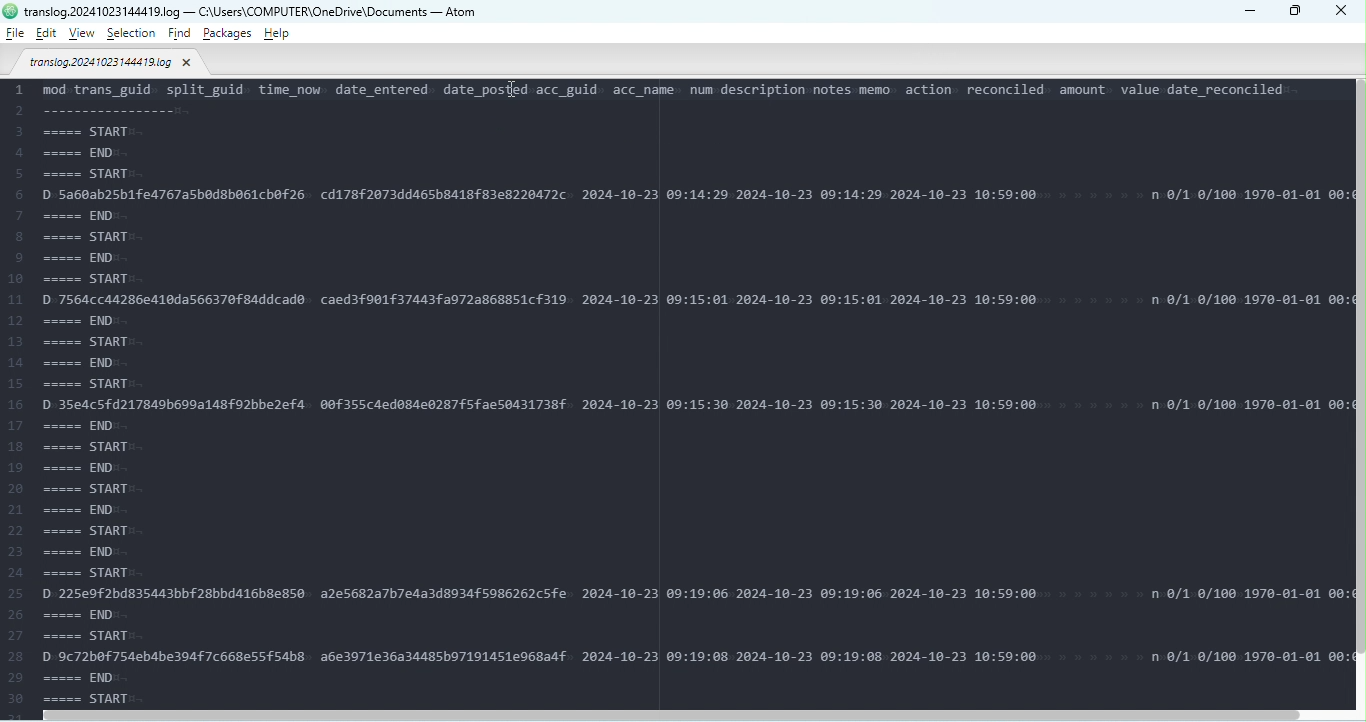 This screenshot has height=722, width=1366. What do you see at coordinates (15, 33) in the screenshot?
I see `File` at bounding box center [15, 33].